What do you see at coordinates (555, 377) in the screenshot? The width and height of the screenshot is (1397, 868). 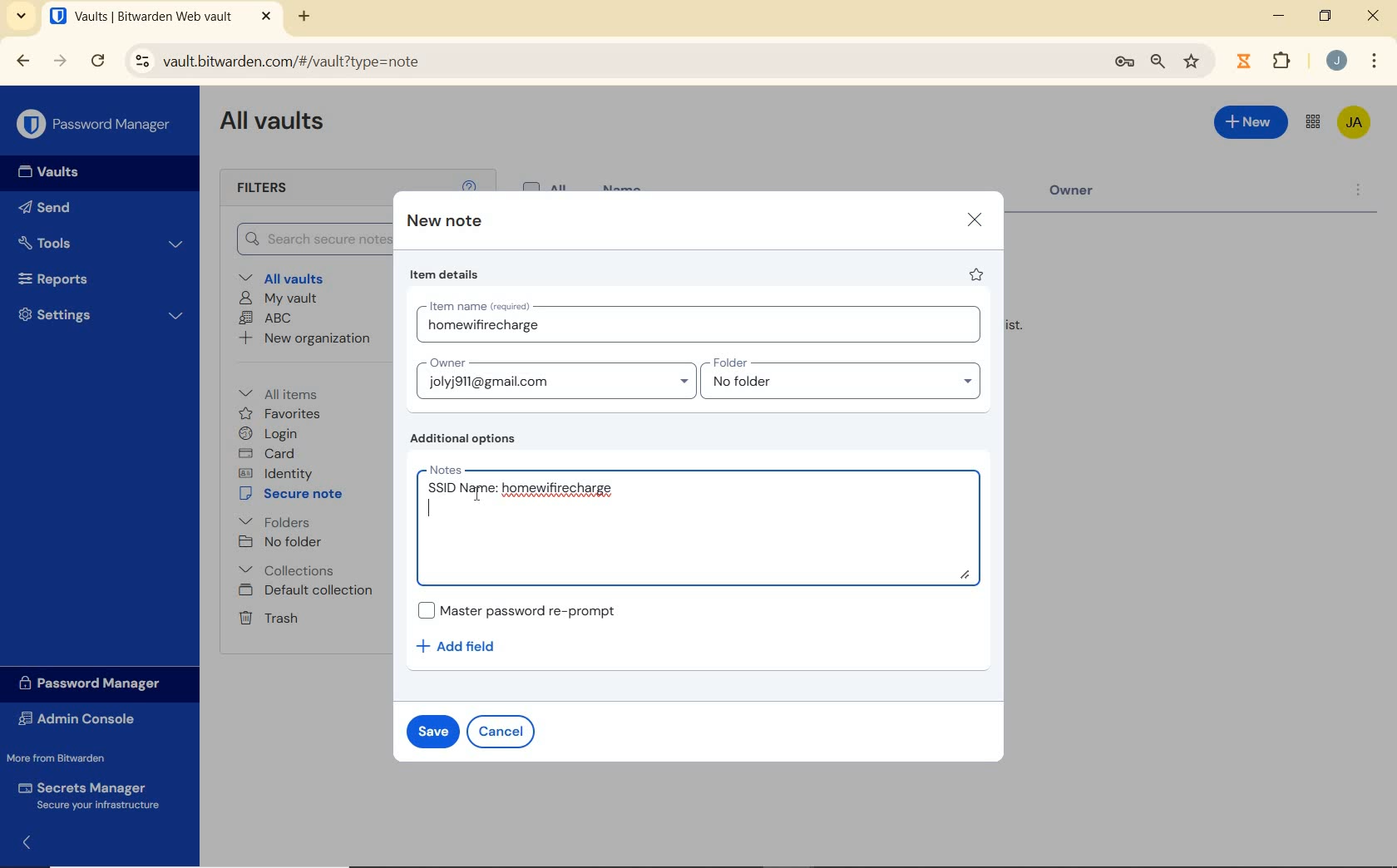 I see `Owner` at bounding box center [555, 377].